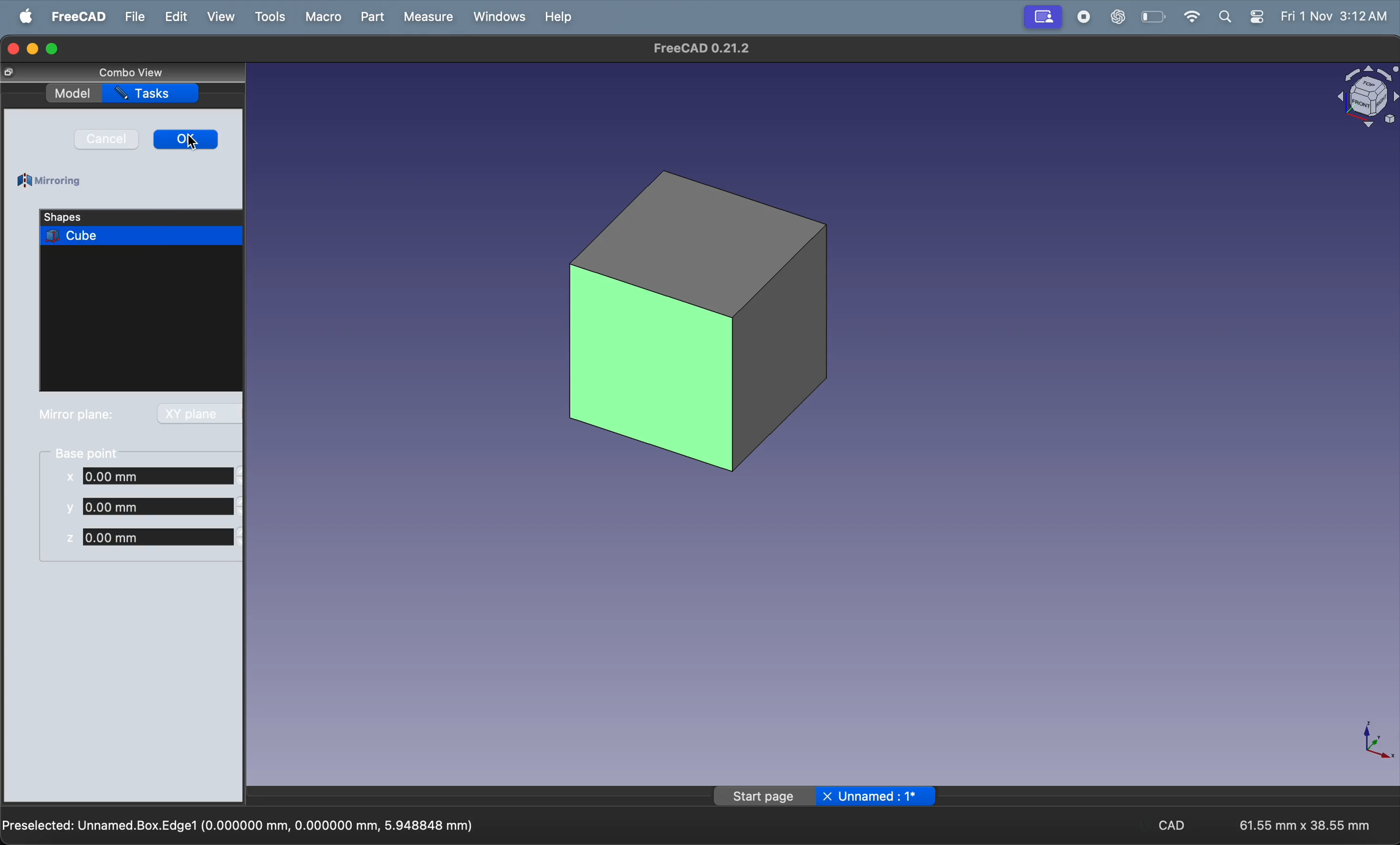 The image size is (1400, 845). What do you see at coordinates (1085, 16) in the screenshot?
I see `record` at bounding box center [1085, 16].